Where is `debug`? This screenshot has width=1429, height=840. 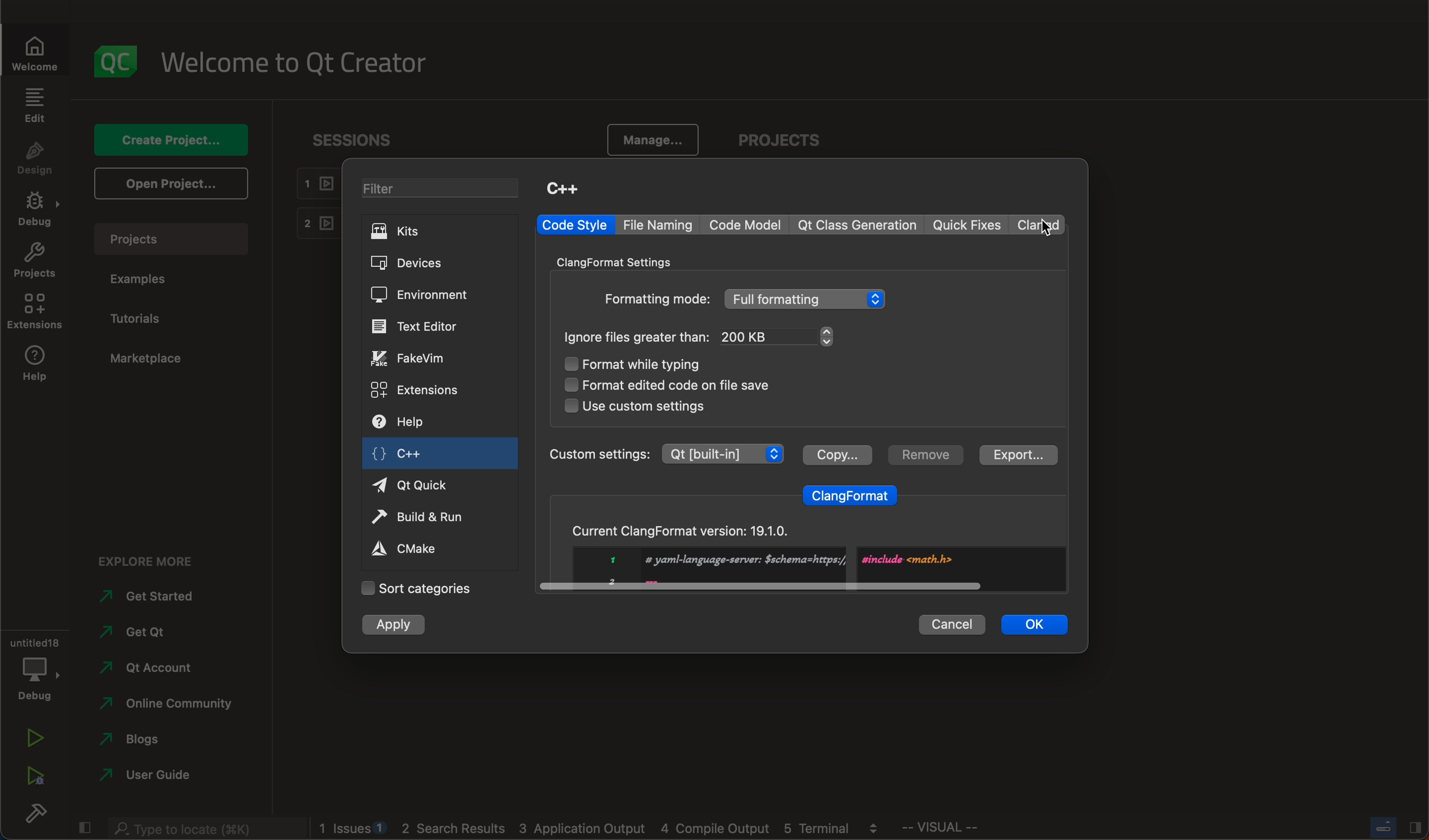 debug is located at coordinates (37, 208).